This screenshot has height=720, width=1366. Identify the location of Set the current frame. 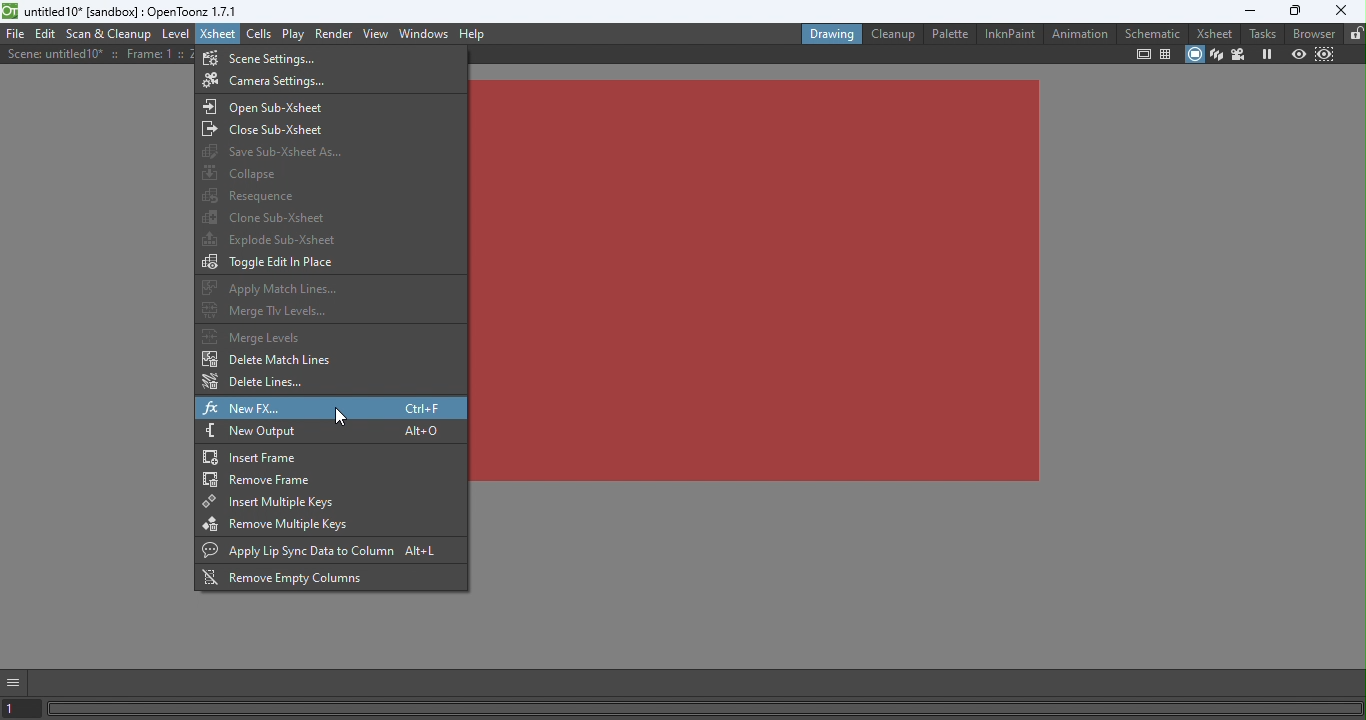
(21, 710).